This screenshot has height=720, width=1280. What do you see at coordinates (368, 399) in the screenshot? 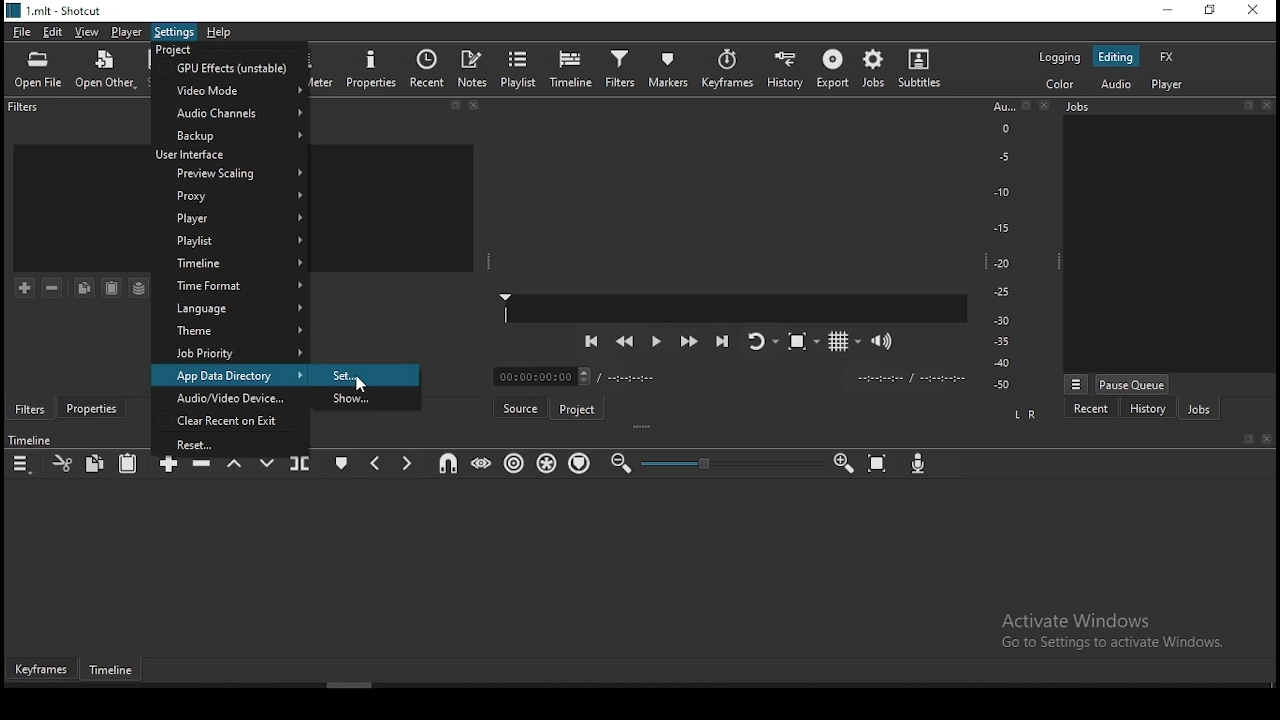
I see `show` at bounding box center [368, 399].